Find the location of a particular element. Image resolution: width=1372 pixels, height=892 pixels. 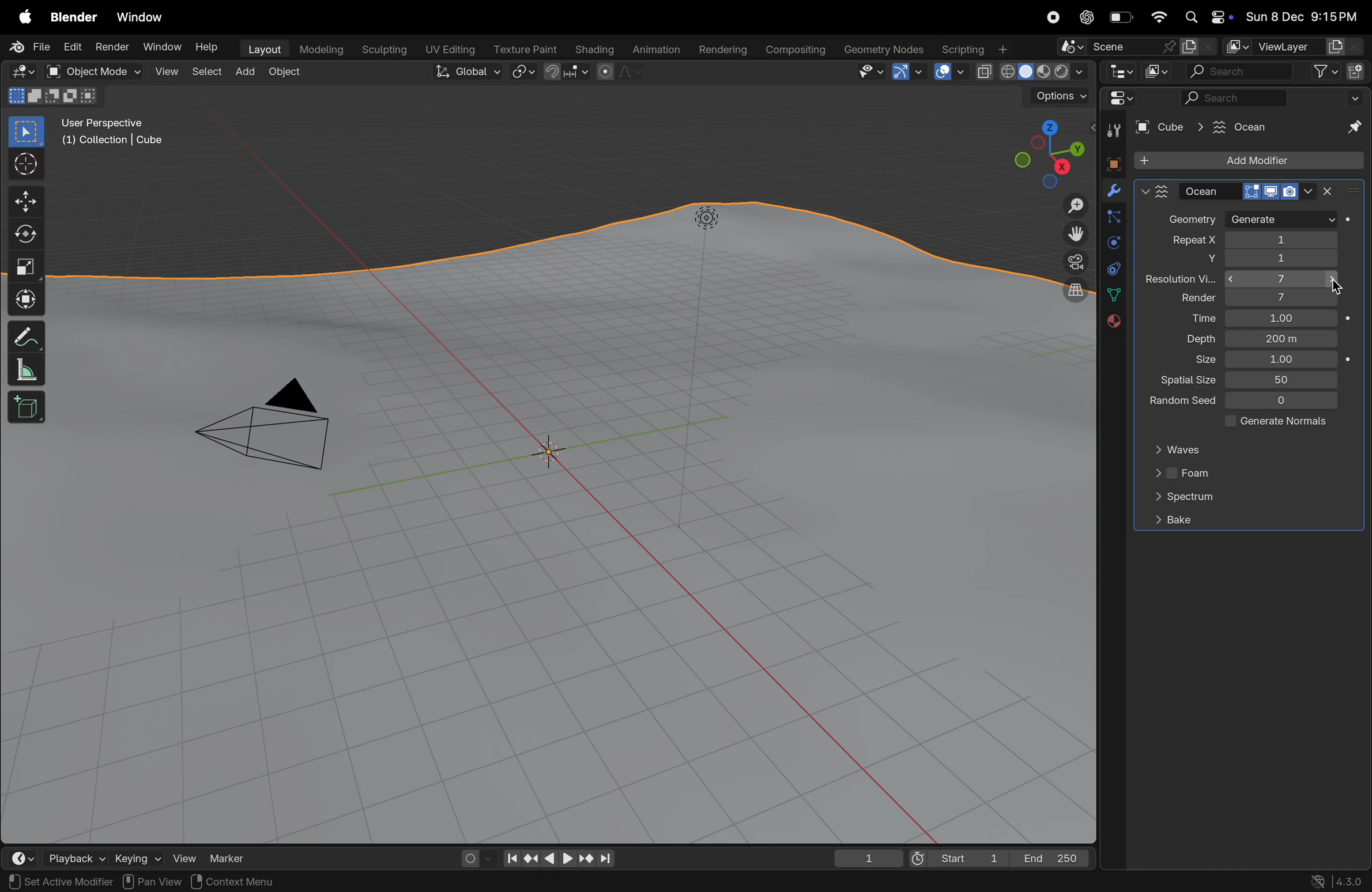

+ add modifier is located at coordinates (1248, 162).